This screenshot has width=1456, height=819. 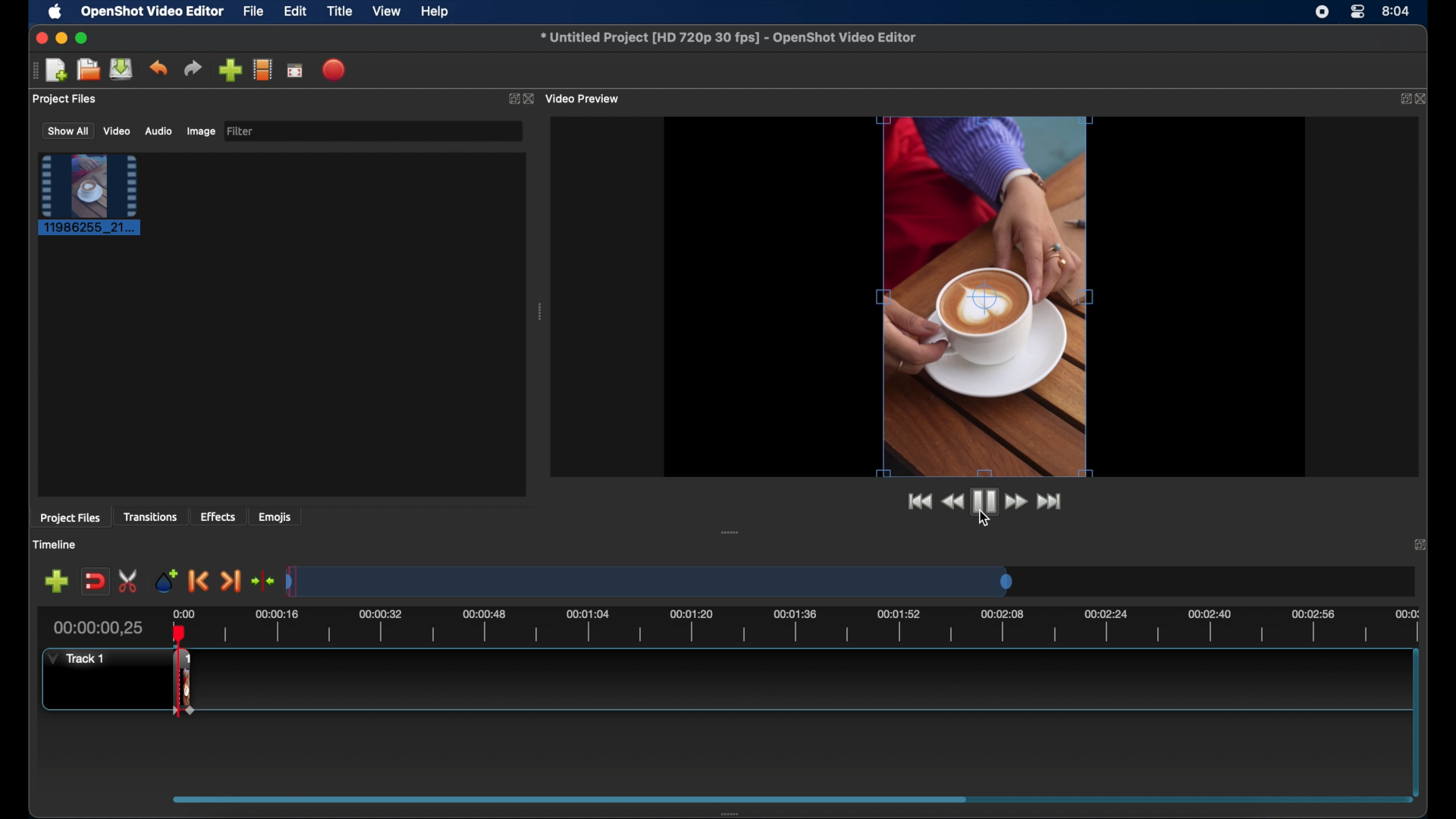 What do you see at coordinates (122, 69) in the screenshot?
I see `save project` at bounding box center [122, 69].